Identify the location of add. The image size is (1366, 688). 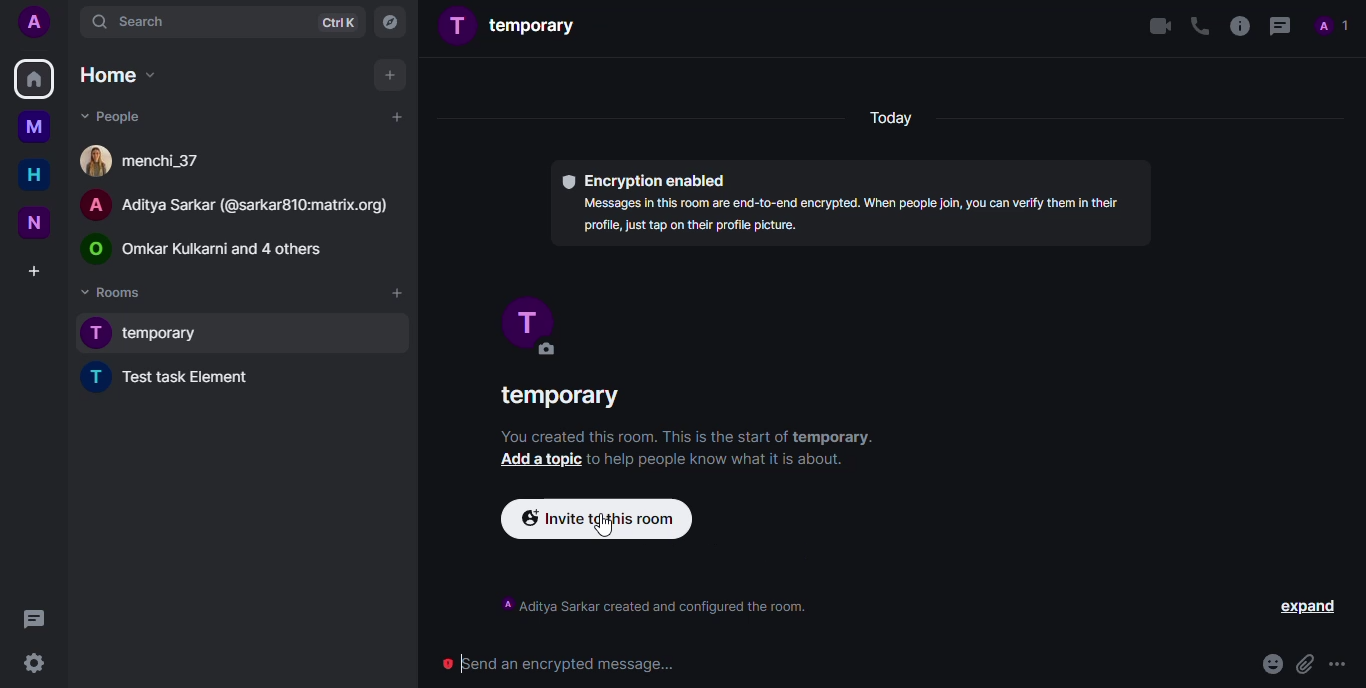
(396, 121).